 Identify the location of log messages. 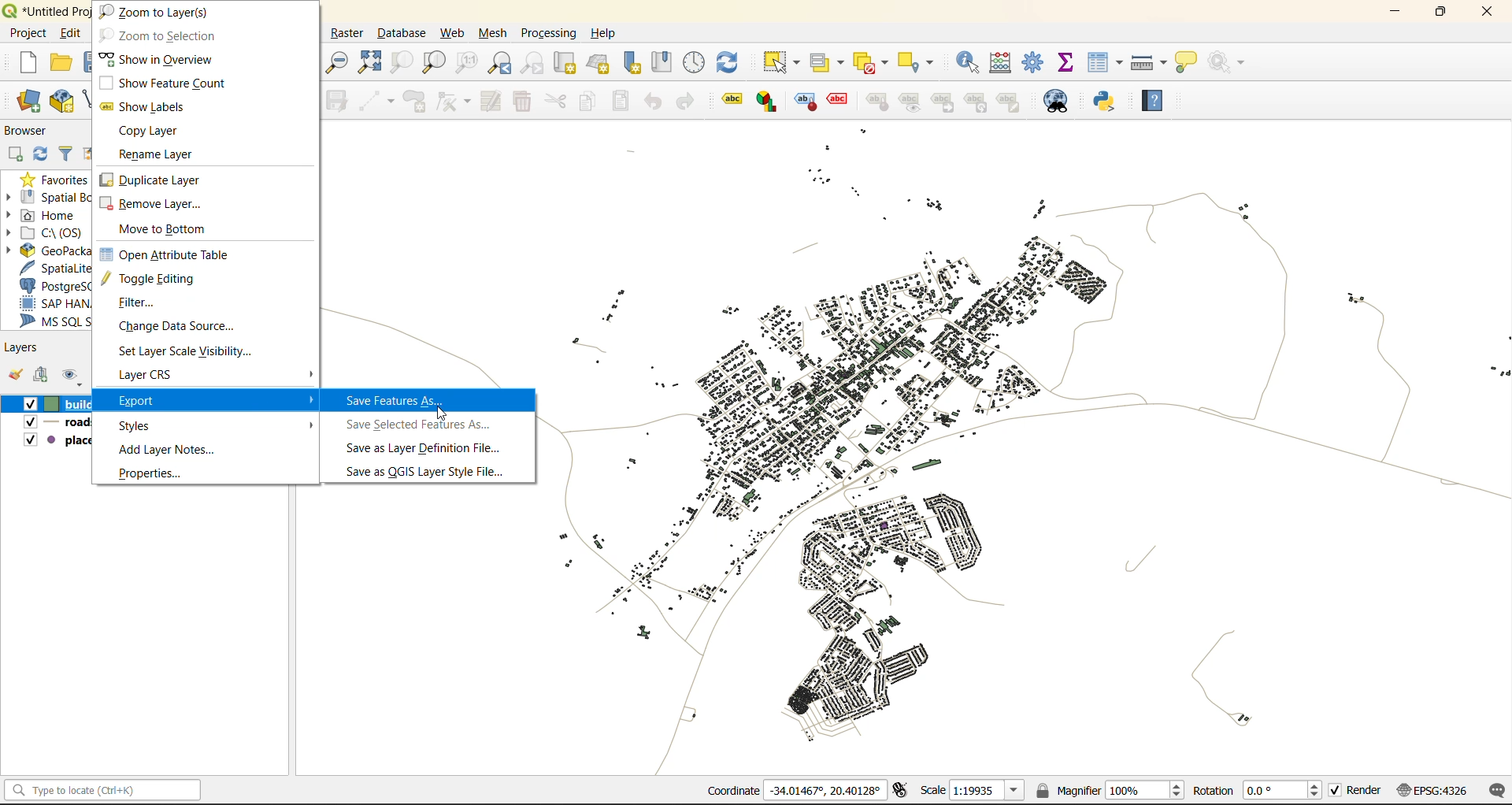
(1494, 789).